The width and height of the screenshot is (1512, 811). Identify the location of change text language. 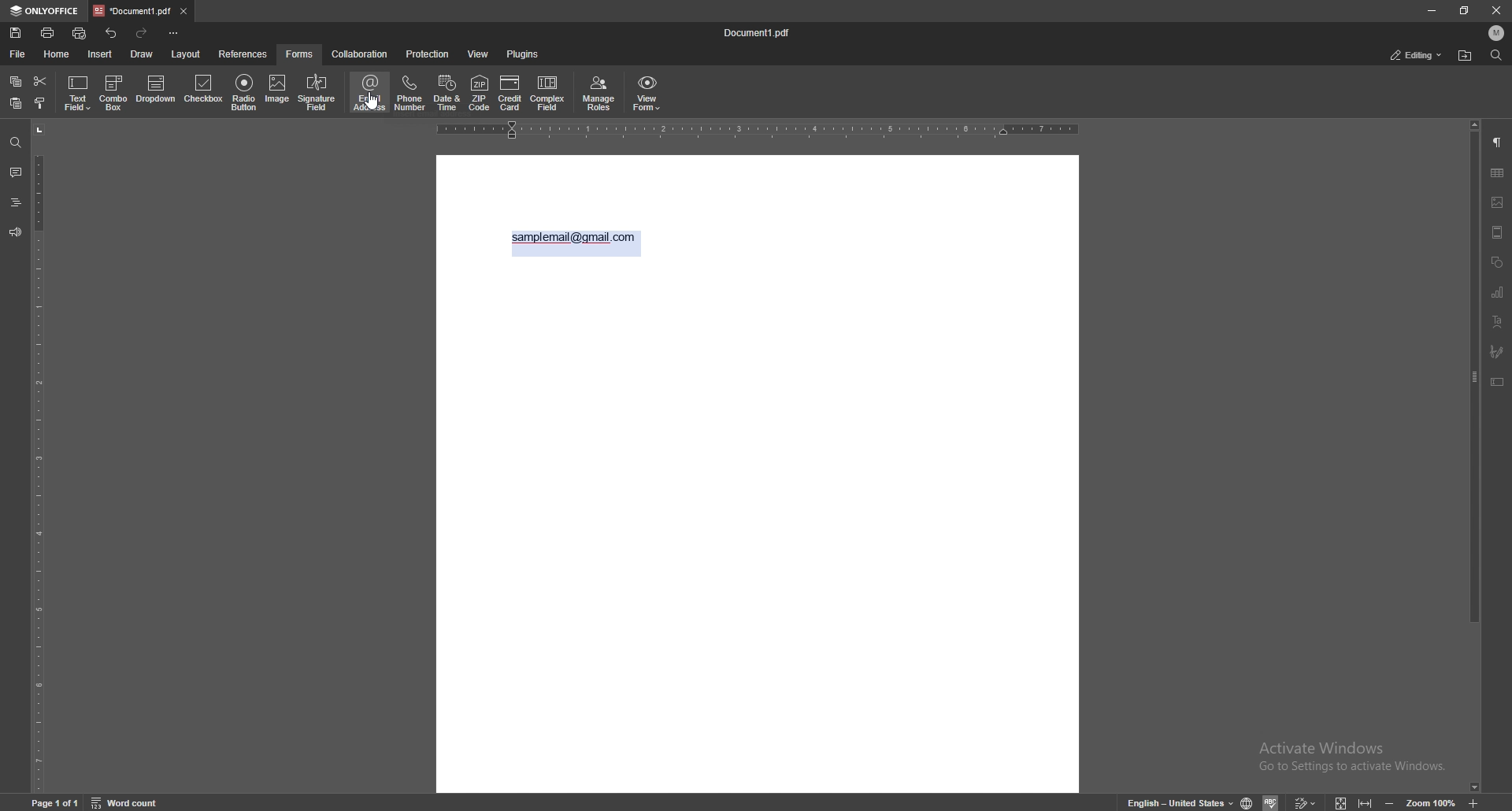
(1177, 802).